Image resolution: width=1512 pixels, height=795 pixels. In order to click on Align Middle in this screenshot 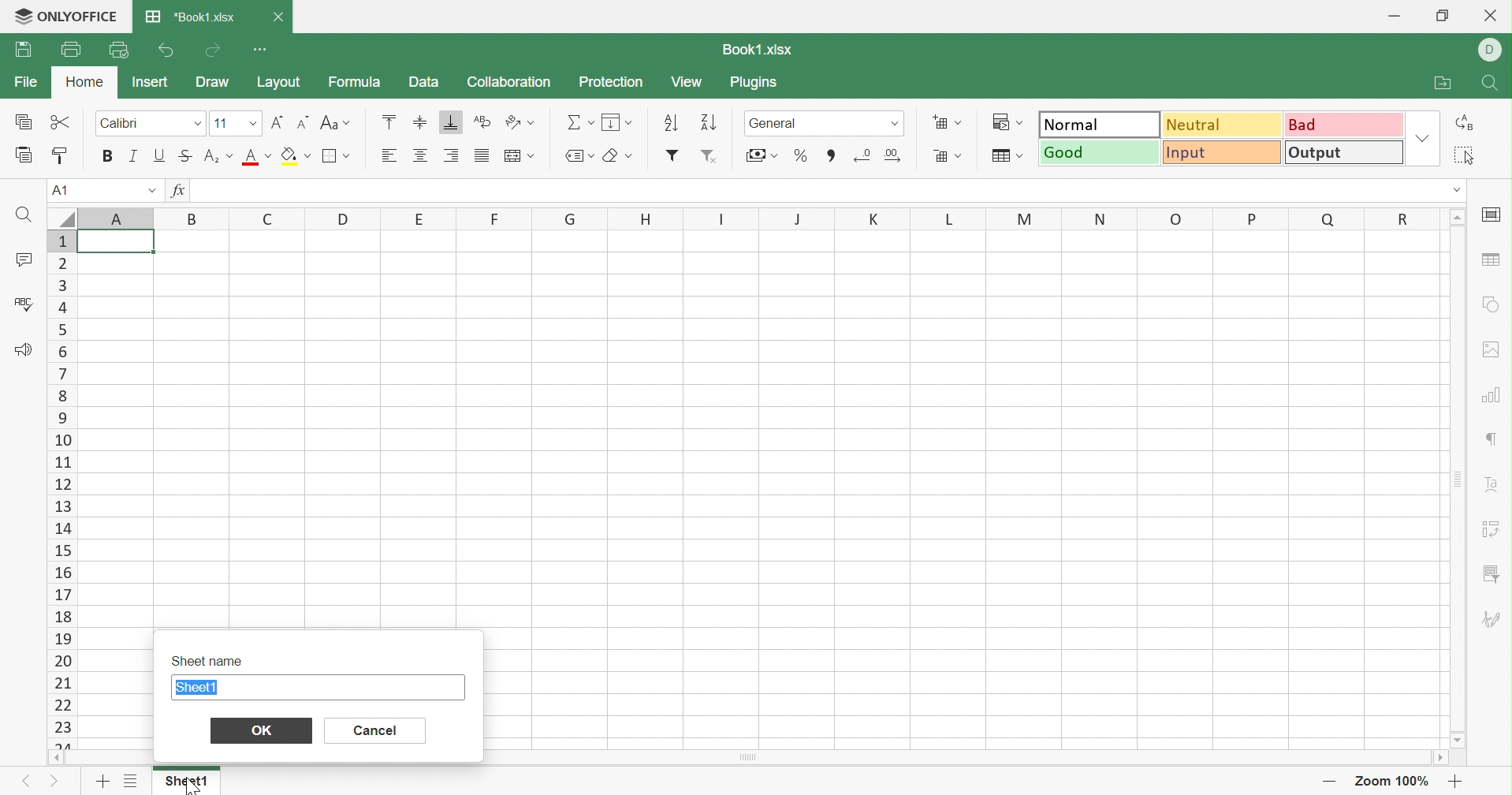, I will do `click(419, 121)`.